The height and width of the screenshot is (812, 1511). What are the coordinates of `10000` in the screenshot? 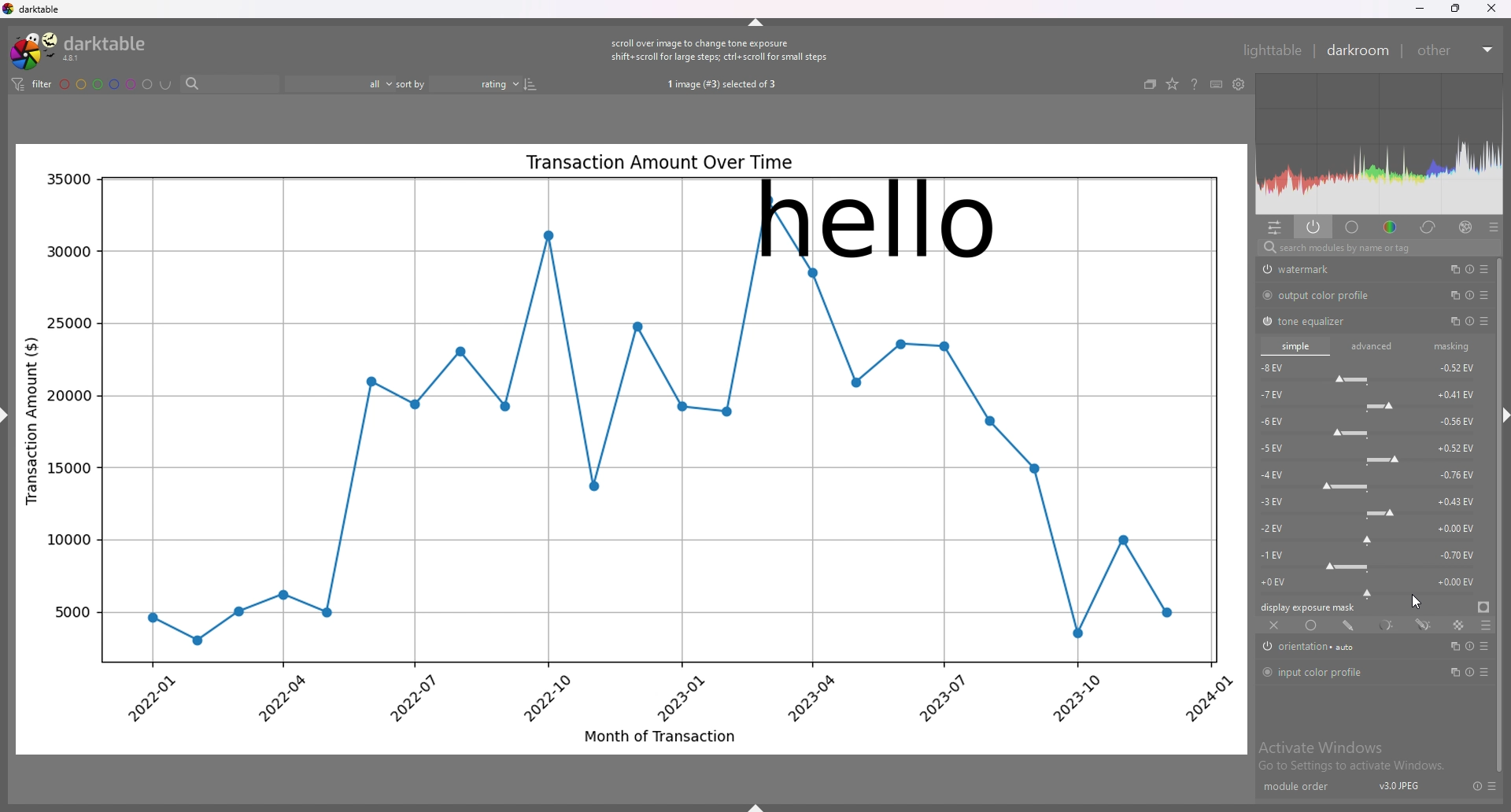 It's located at (66, 540).